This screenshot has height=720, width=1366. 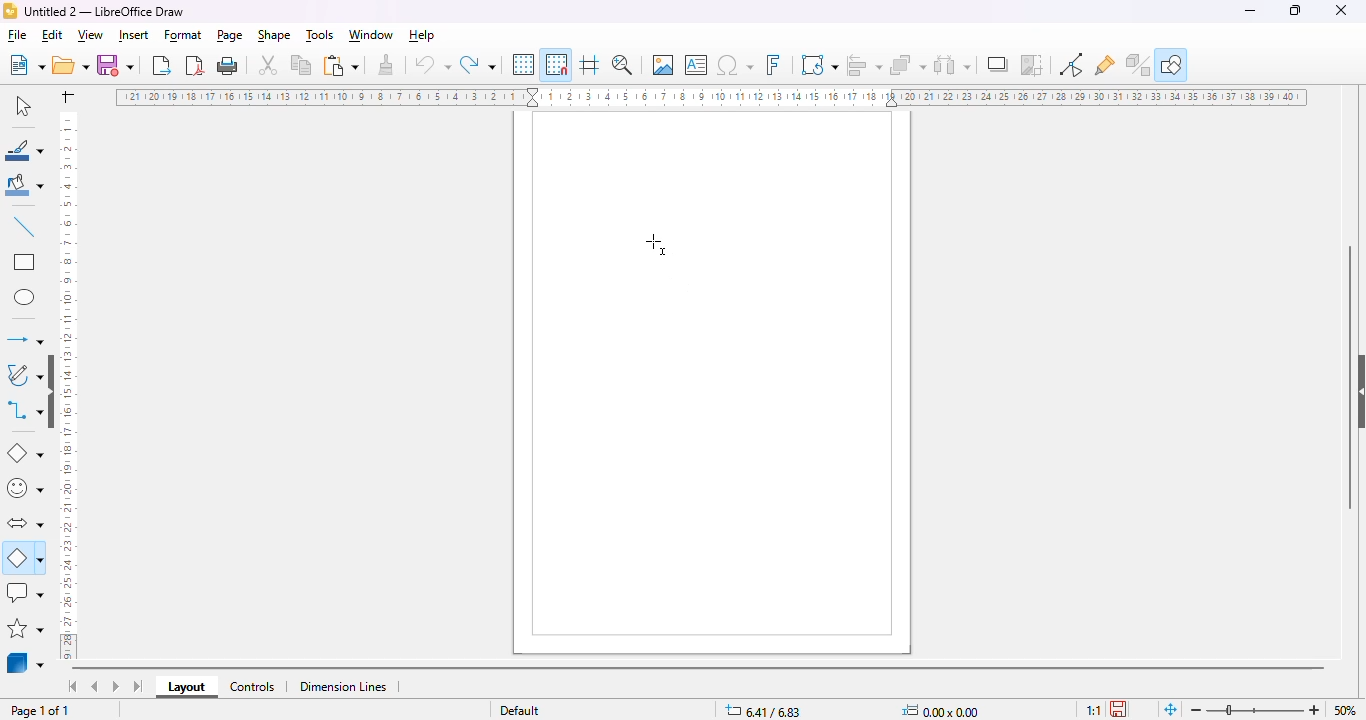 I want to click on insert image, so click(x=663, y=65).